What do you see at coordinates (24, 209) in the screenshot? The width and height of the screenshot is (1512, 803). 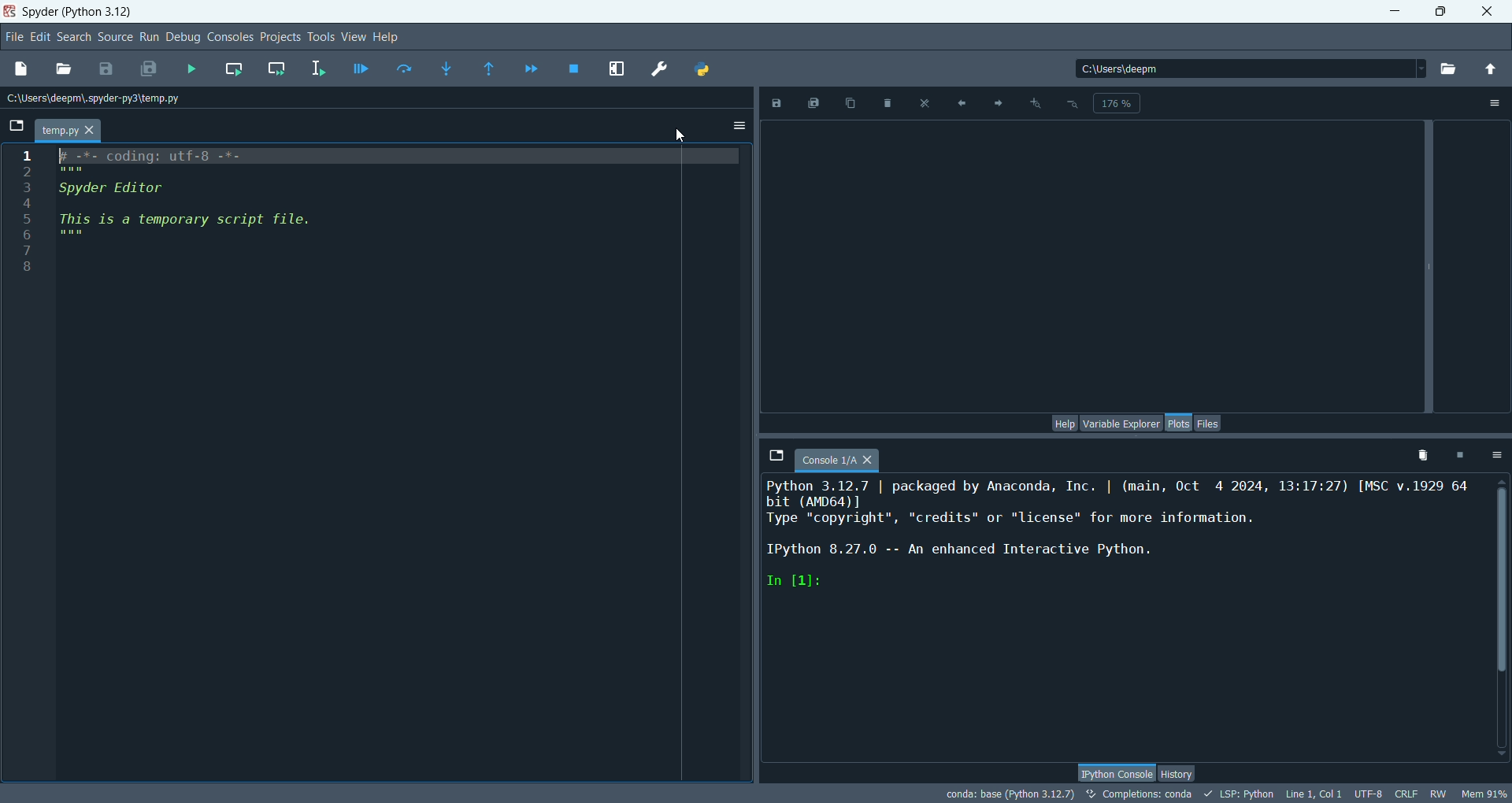 I see `line number` at bounding box center [24, 209].